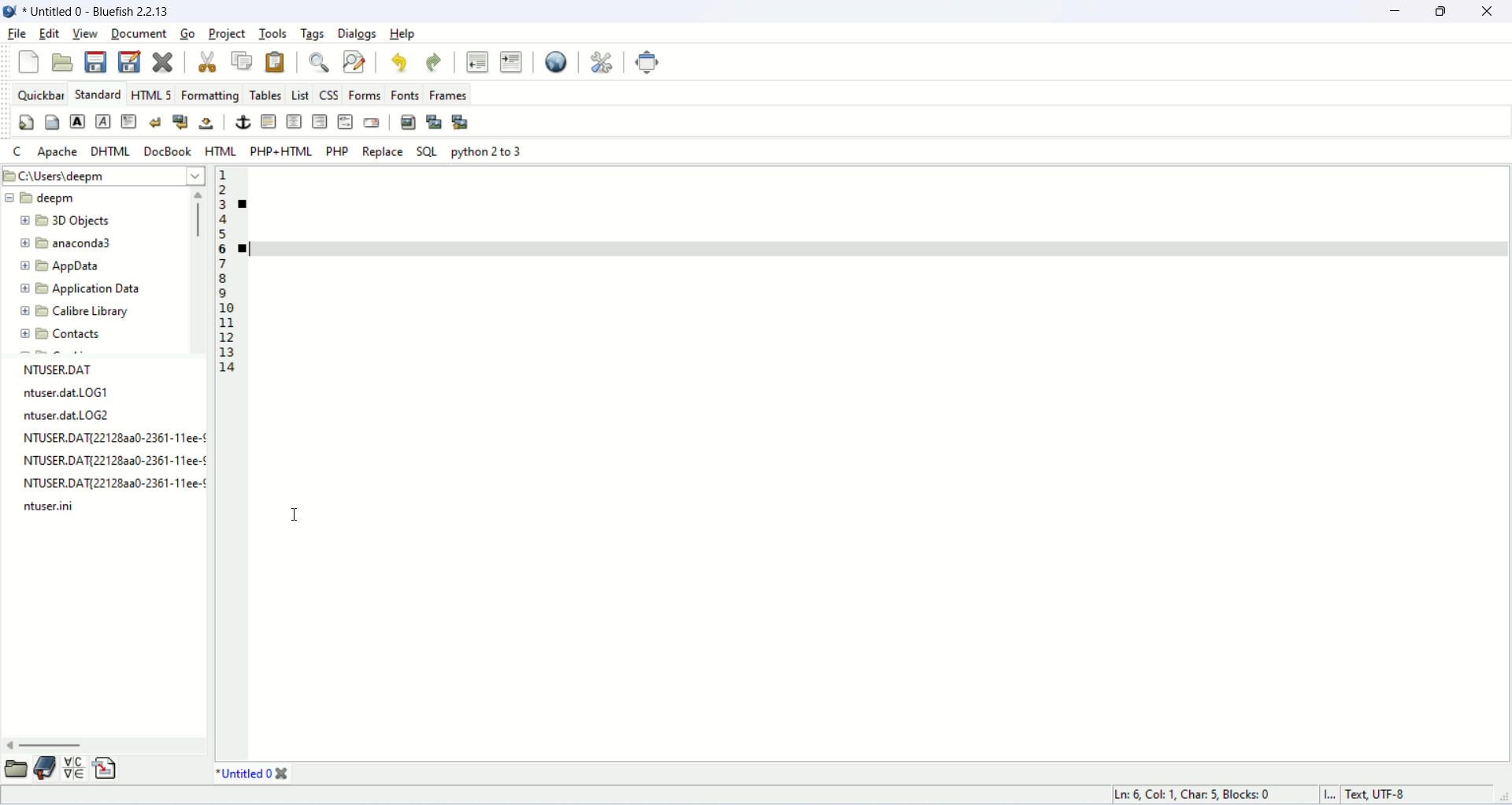  I want to click on close, so click(207, 61).